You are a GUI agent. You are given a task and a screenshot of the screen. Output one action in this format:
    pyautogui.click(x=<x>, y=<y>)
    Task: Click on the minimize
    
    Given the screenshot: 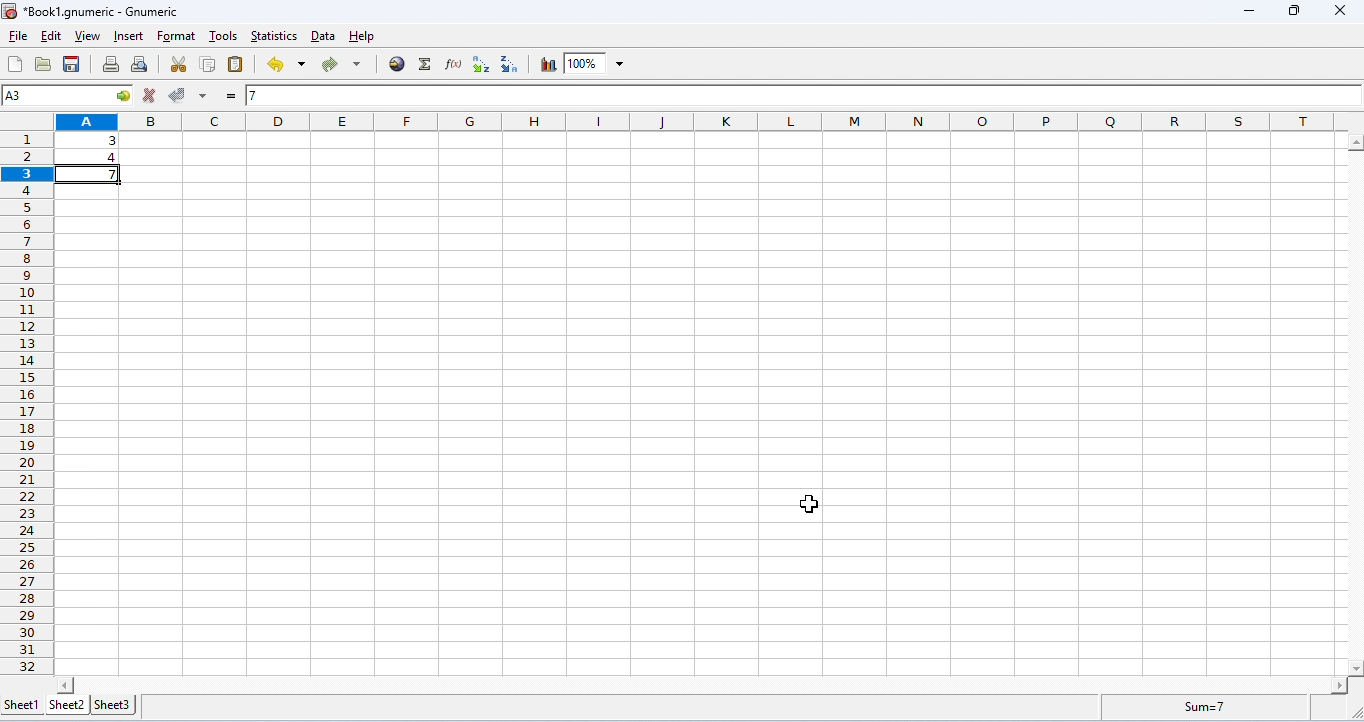 What is the action you would take?
    pyautogui.click(x=1249, y=13)
    